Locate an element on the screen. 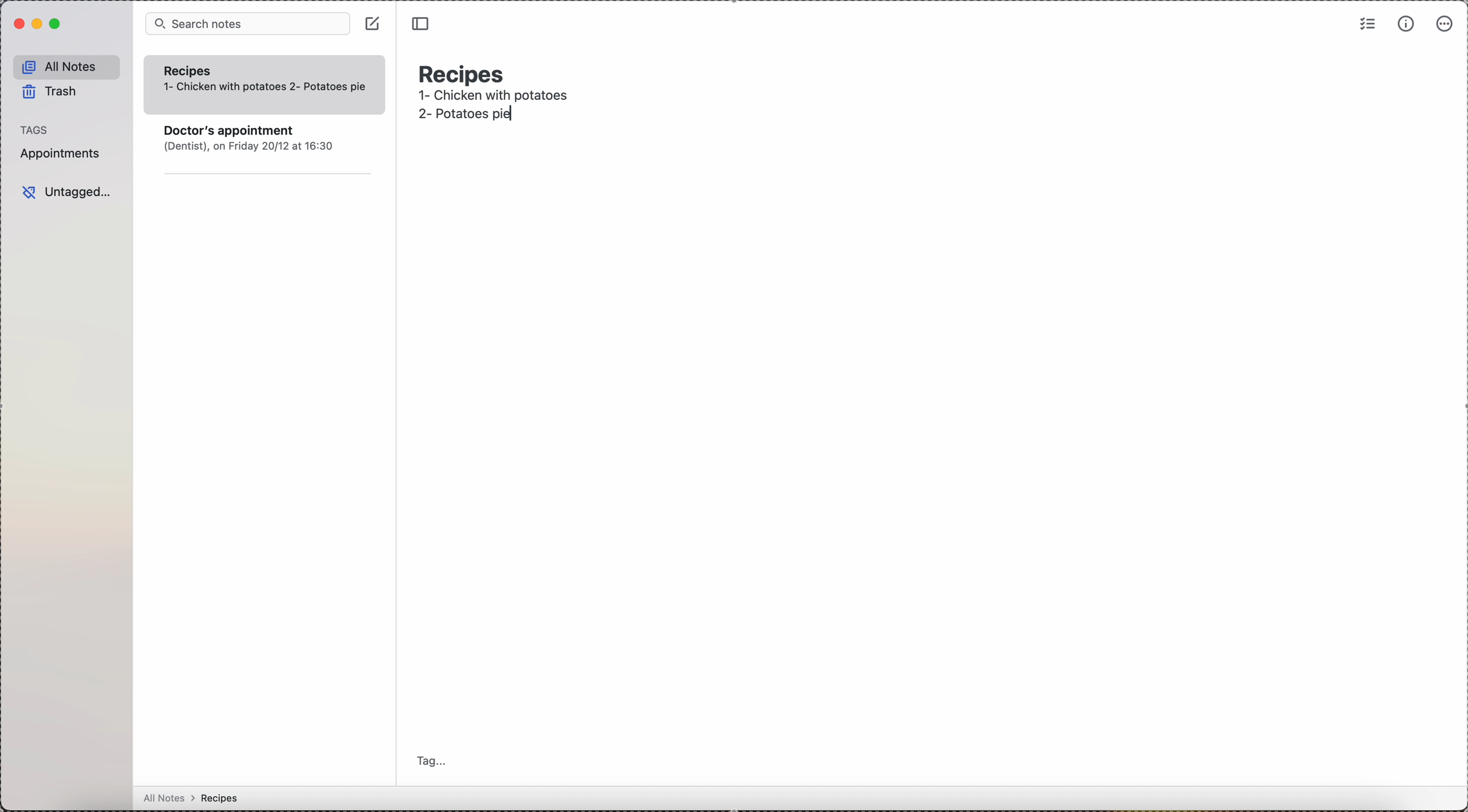  recipe is located at coordinates (332, 87).